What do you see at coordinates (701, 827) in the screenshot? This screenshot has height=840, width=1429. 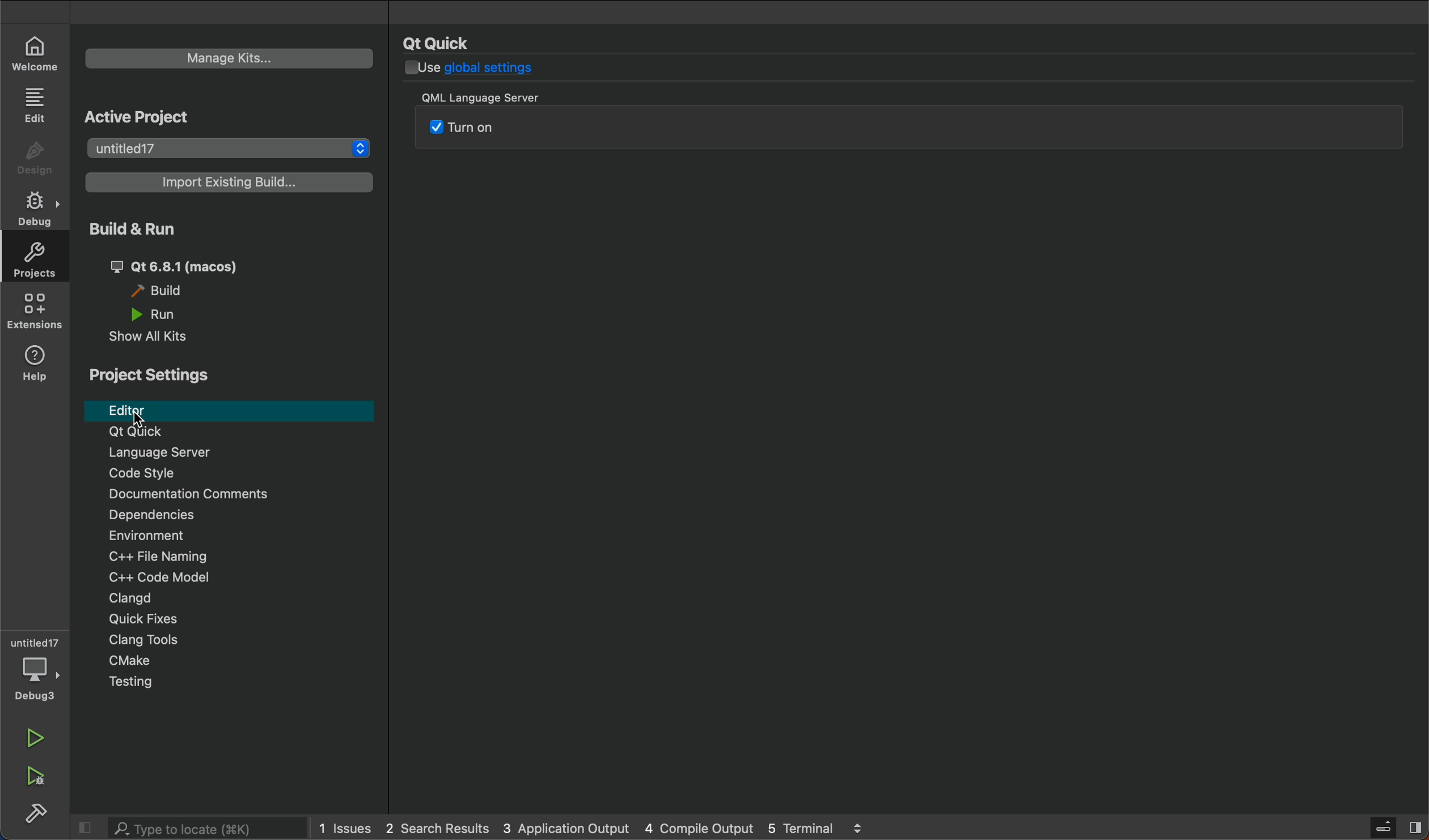 I see `compile output` at bounding box center [701, 827].